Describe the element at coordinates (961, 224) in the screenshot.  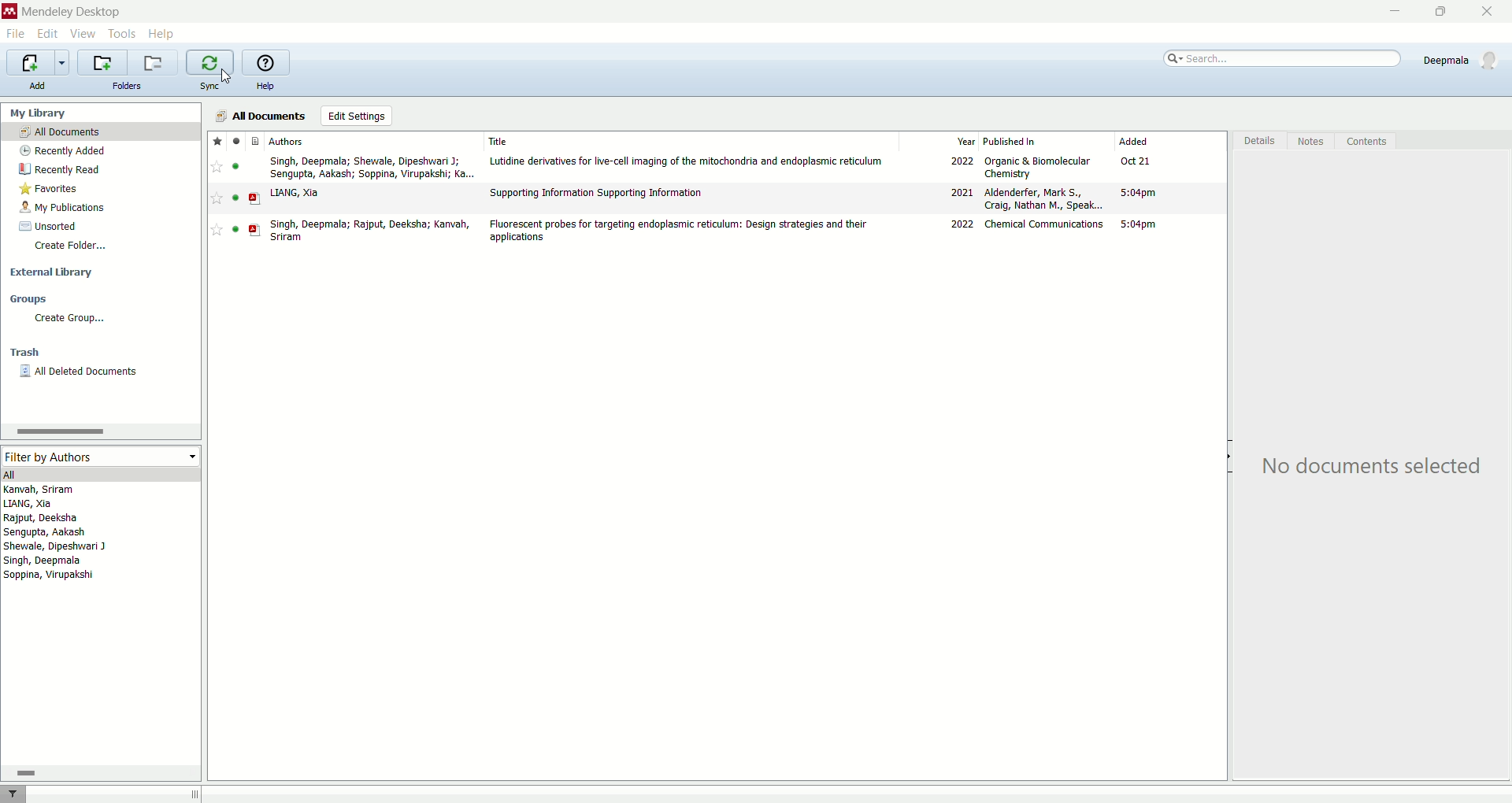
I see `2022` at that location.